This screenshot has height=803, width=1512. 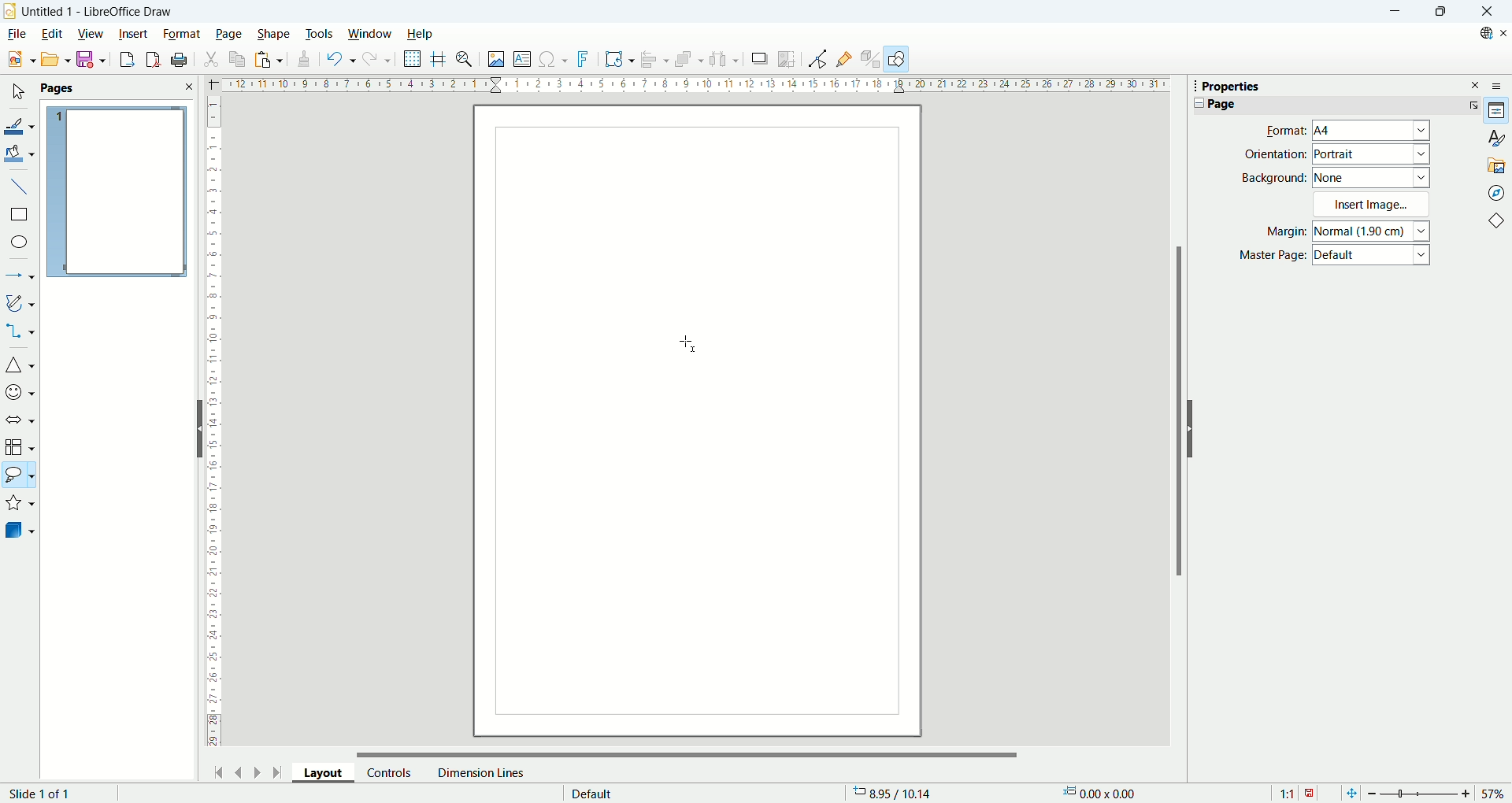 What do you see at coordinates (18, 60) in the screenshot?
I see `new` at bounding box center [18, 60].